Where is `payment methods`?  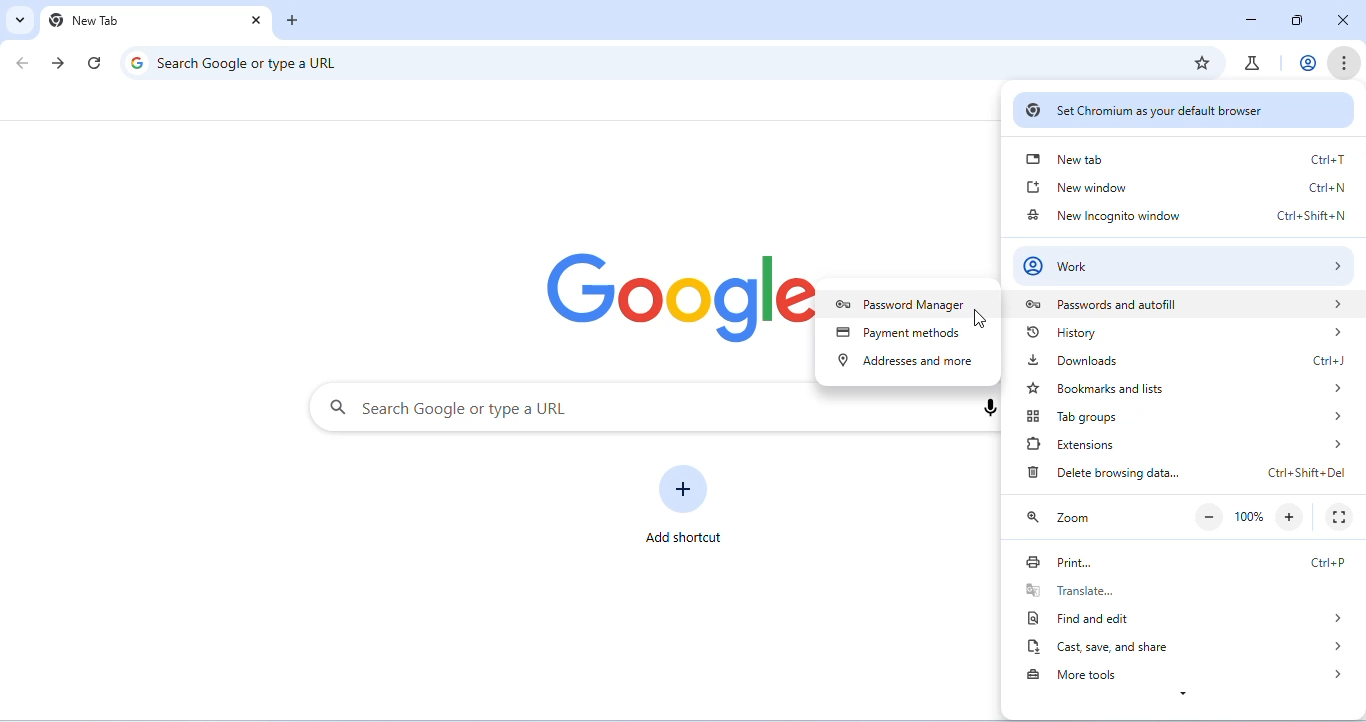 payment methods is located at coordinates (895, 334).